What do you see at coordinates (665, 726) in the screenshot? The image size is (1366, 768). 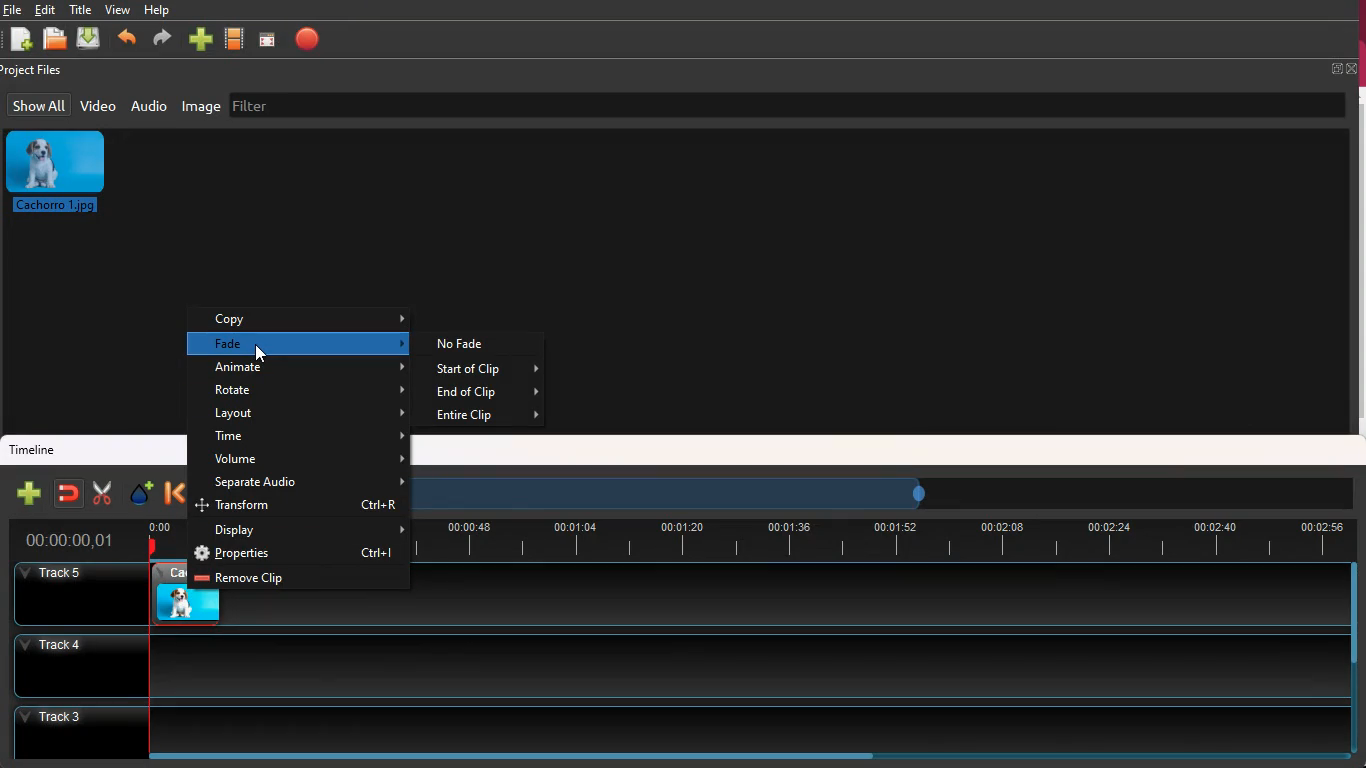 I see `track3` at bounding box center [665, 726].